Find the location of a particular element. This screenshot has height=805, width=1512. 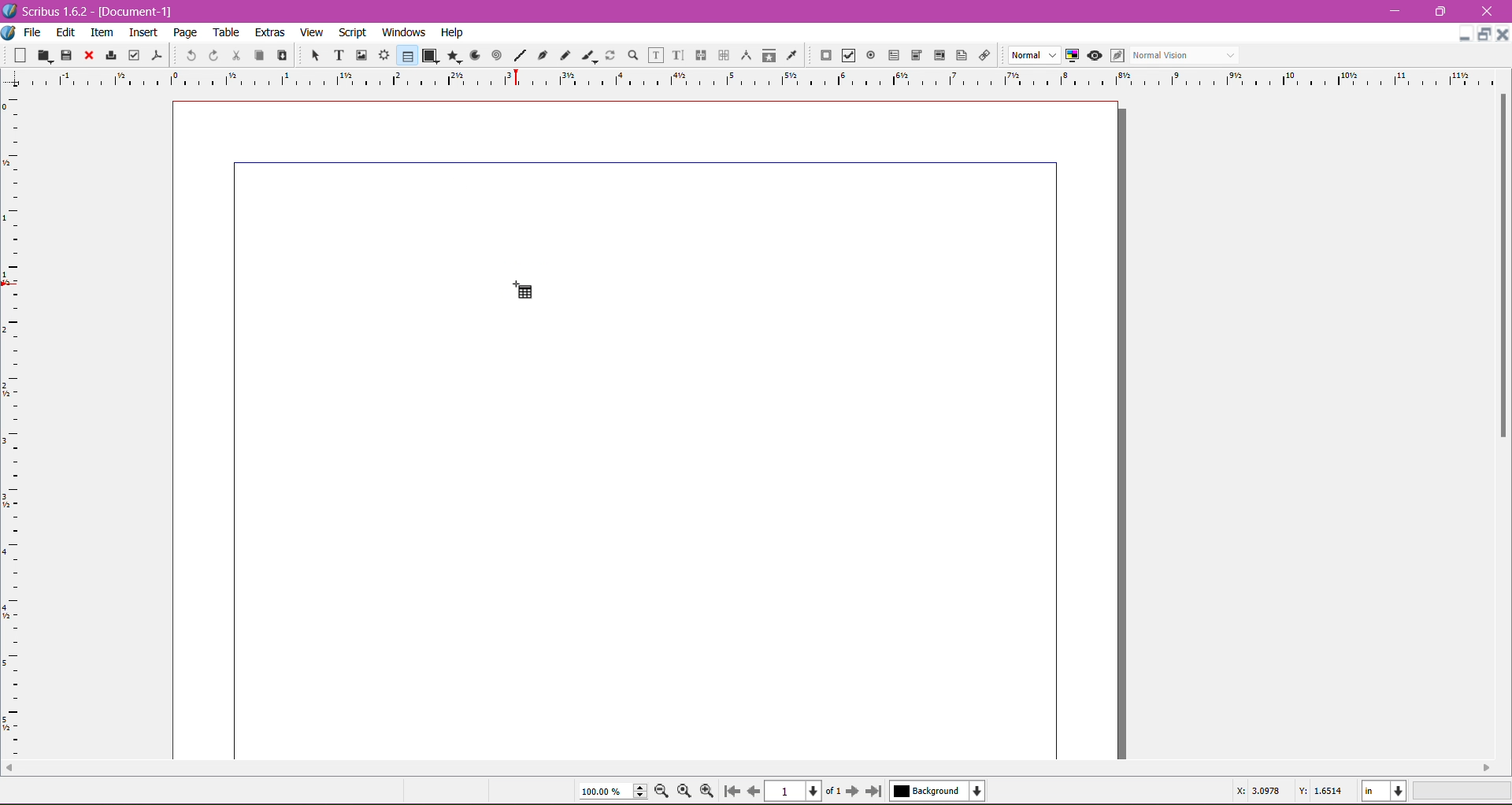

Unlink Text Frames is located at coordinates (722, 57).